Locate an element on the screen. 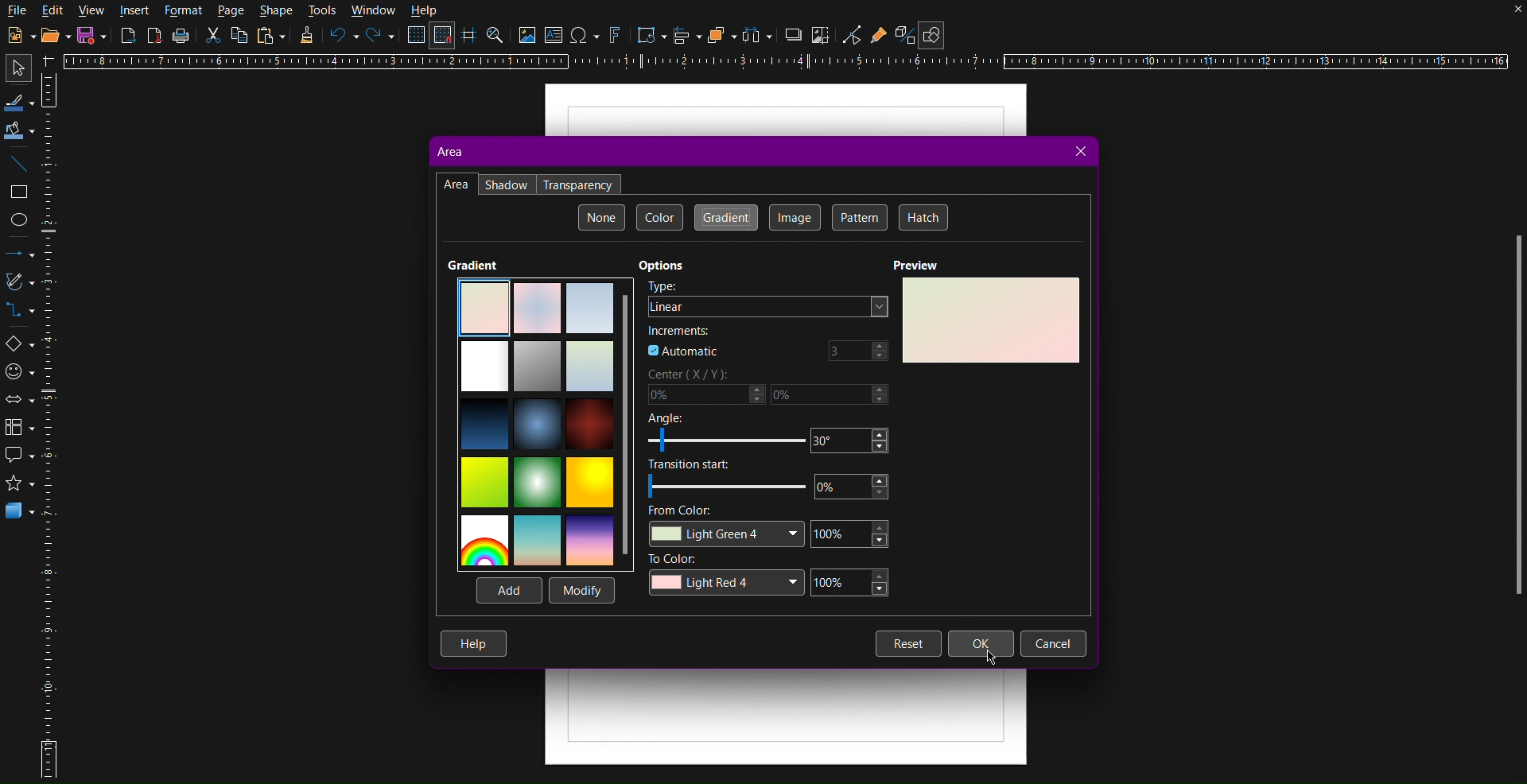  close is located at coordinates (1502, 16).